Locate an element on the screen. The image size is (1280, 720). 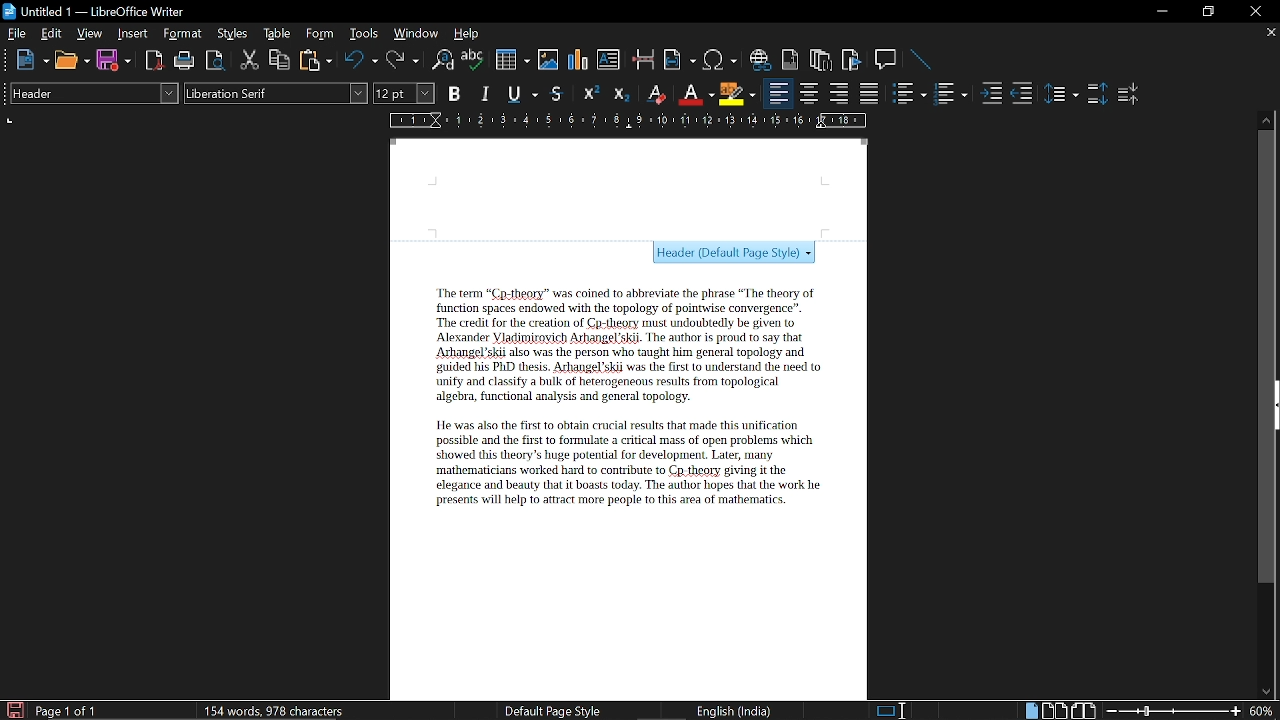
SCale is located at coordinates (626, 122).